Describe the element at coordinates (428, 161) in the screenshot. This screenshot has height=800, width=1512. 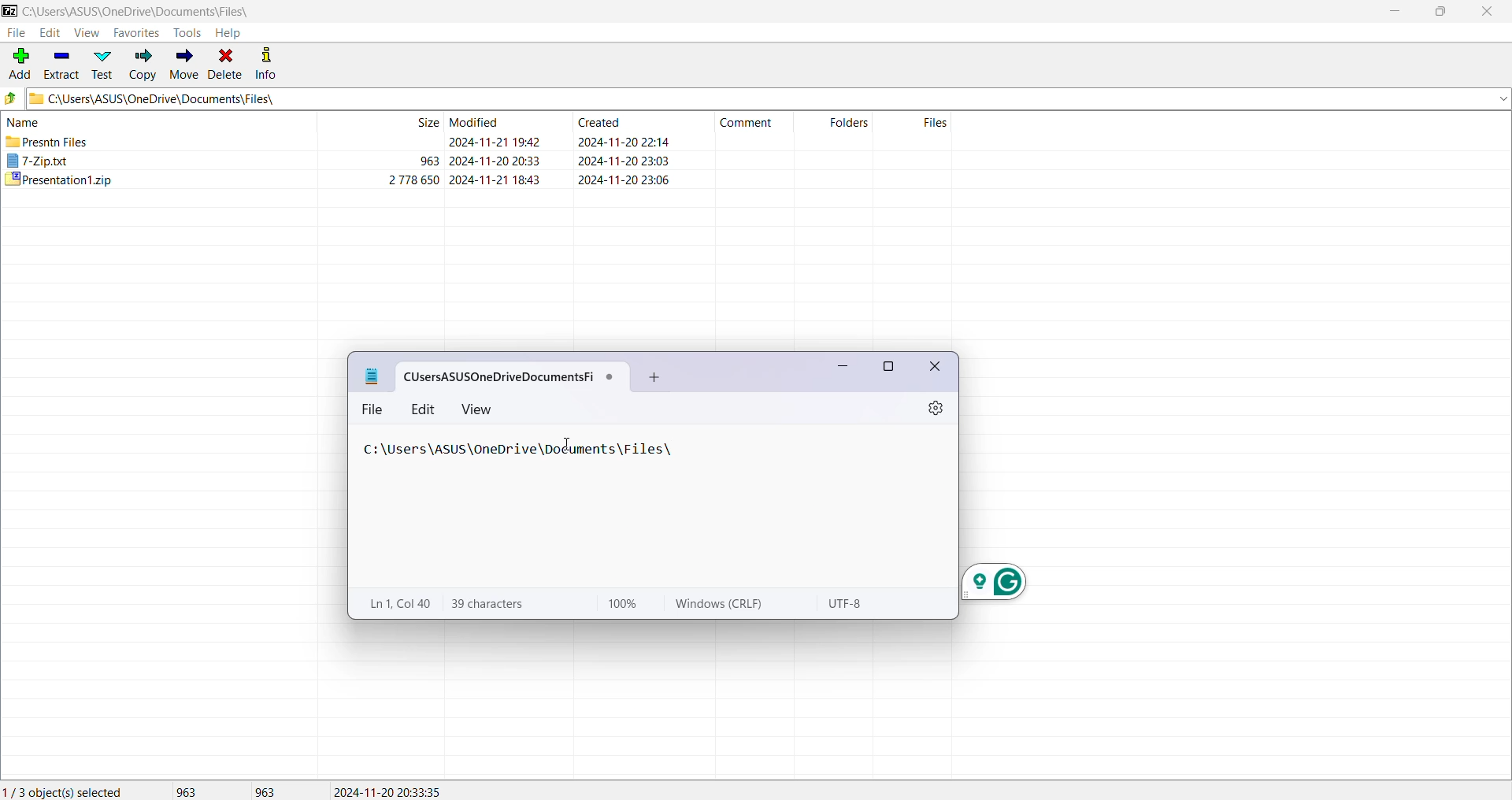
I see `963` at that location.